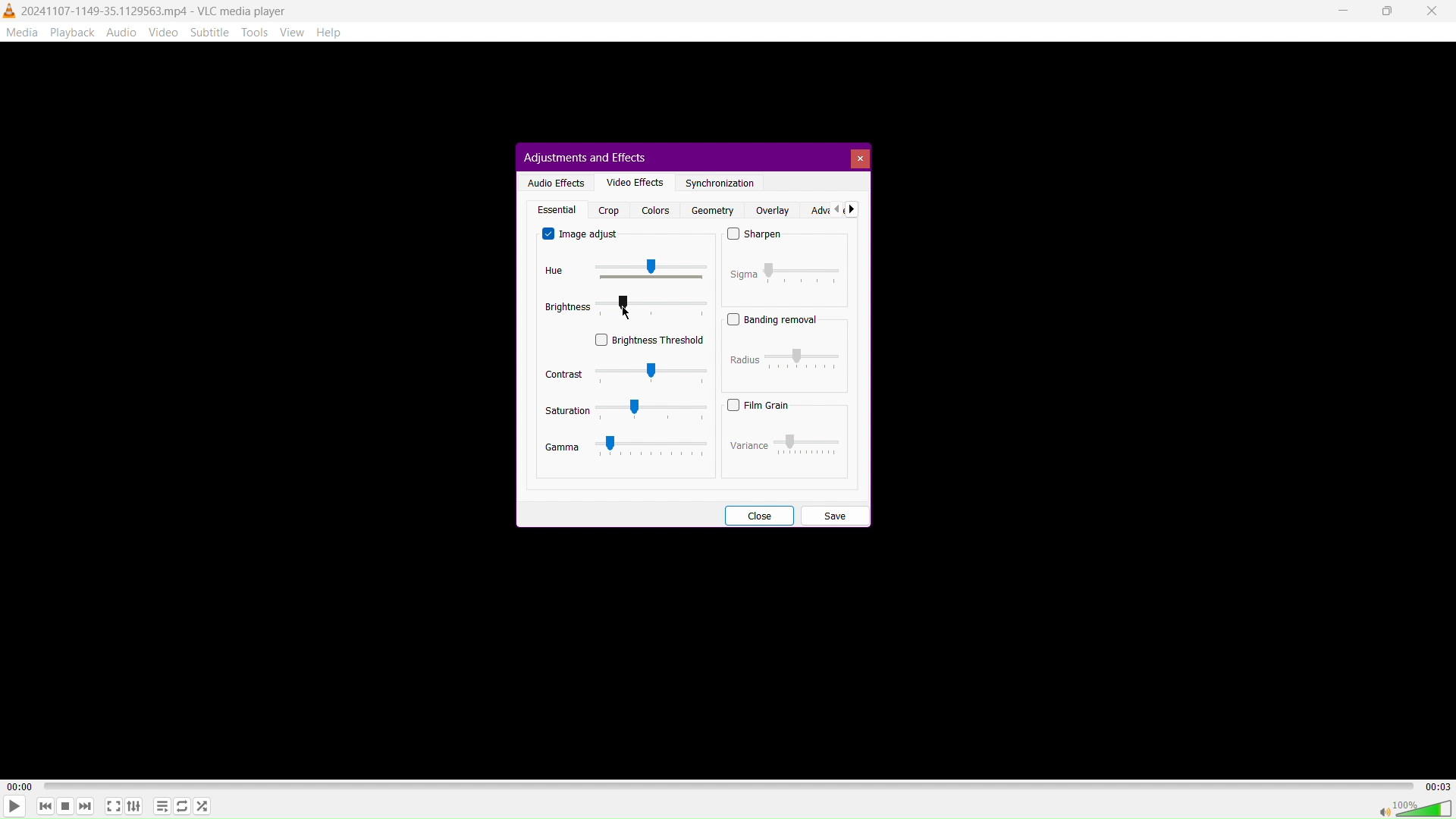  I want to click on Minimize, so click(1345, 11).